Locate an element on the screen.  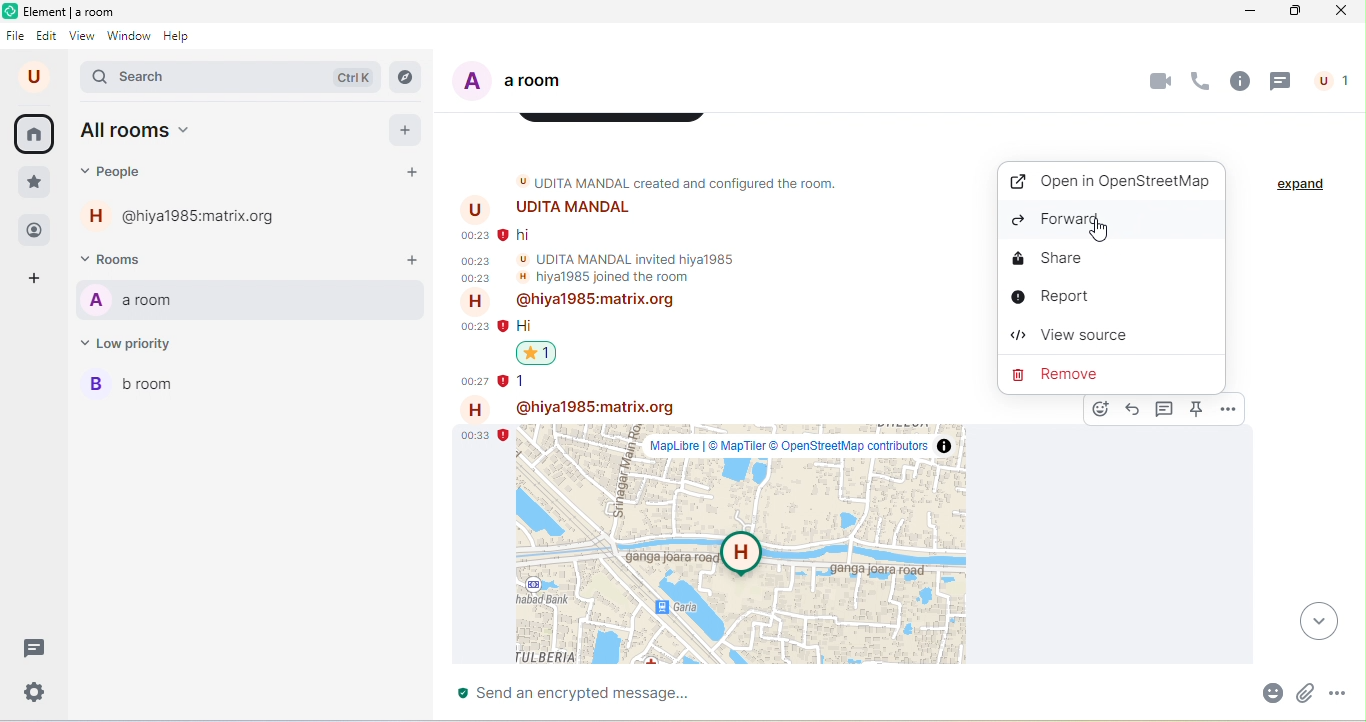
text message: "Hi" is located at coordinates (525, 326).